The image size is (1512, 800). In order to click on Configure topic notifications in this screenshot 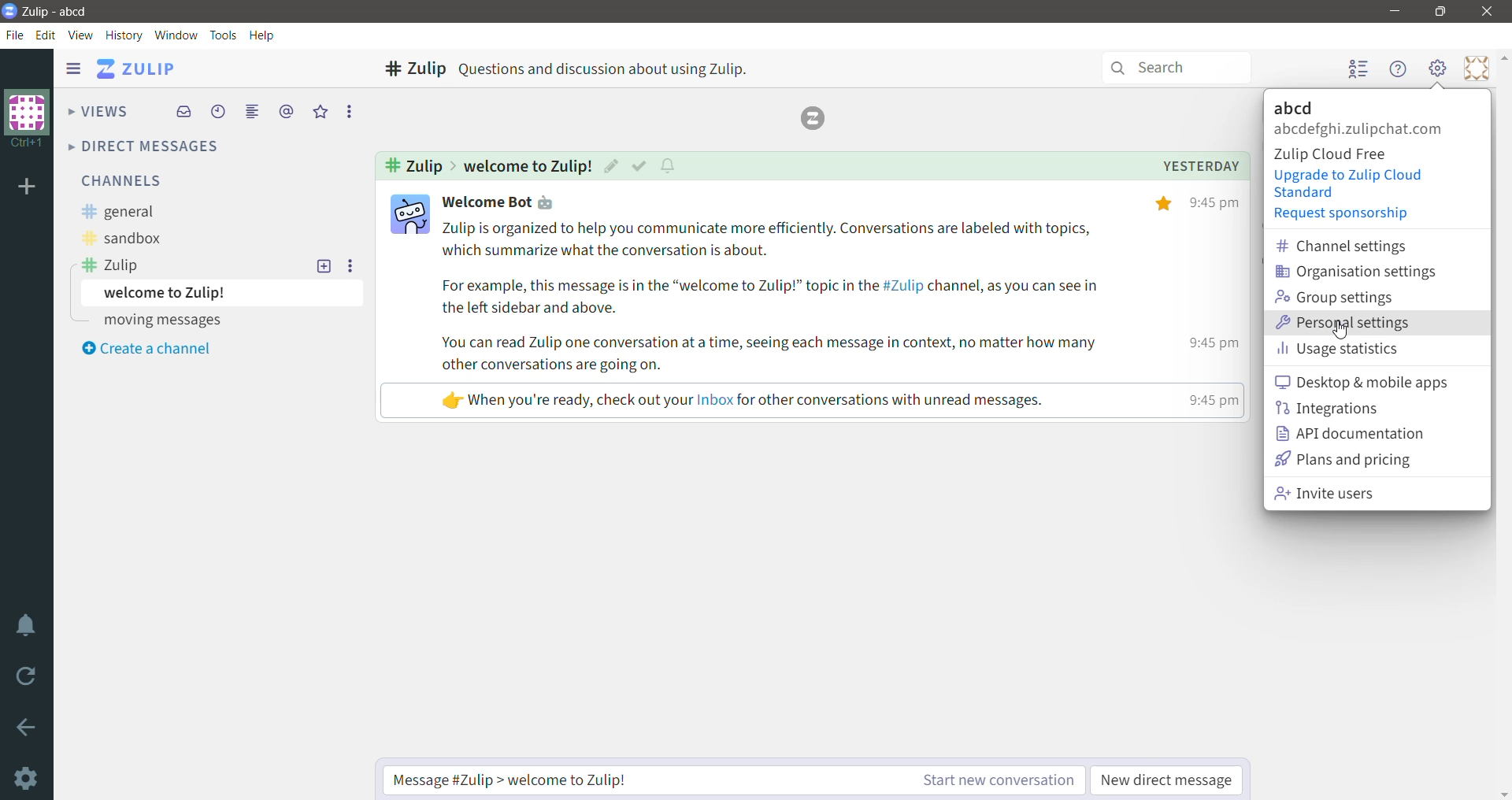, I will do `click(669, 166)`.